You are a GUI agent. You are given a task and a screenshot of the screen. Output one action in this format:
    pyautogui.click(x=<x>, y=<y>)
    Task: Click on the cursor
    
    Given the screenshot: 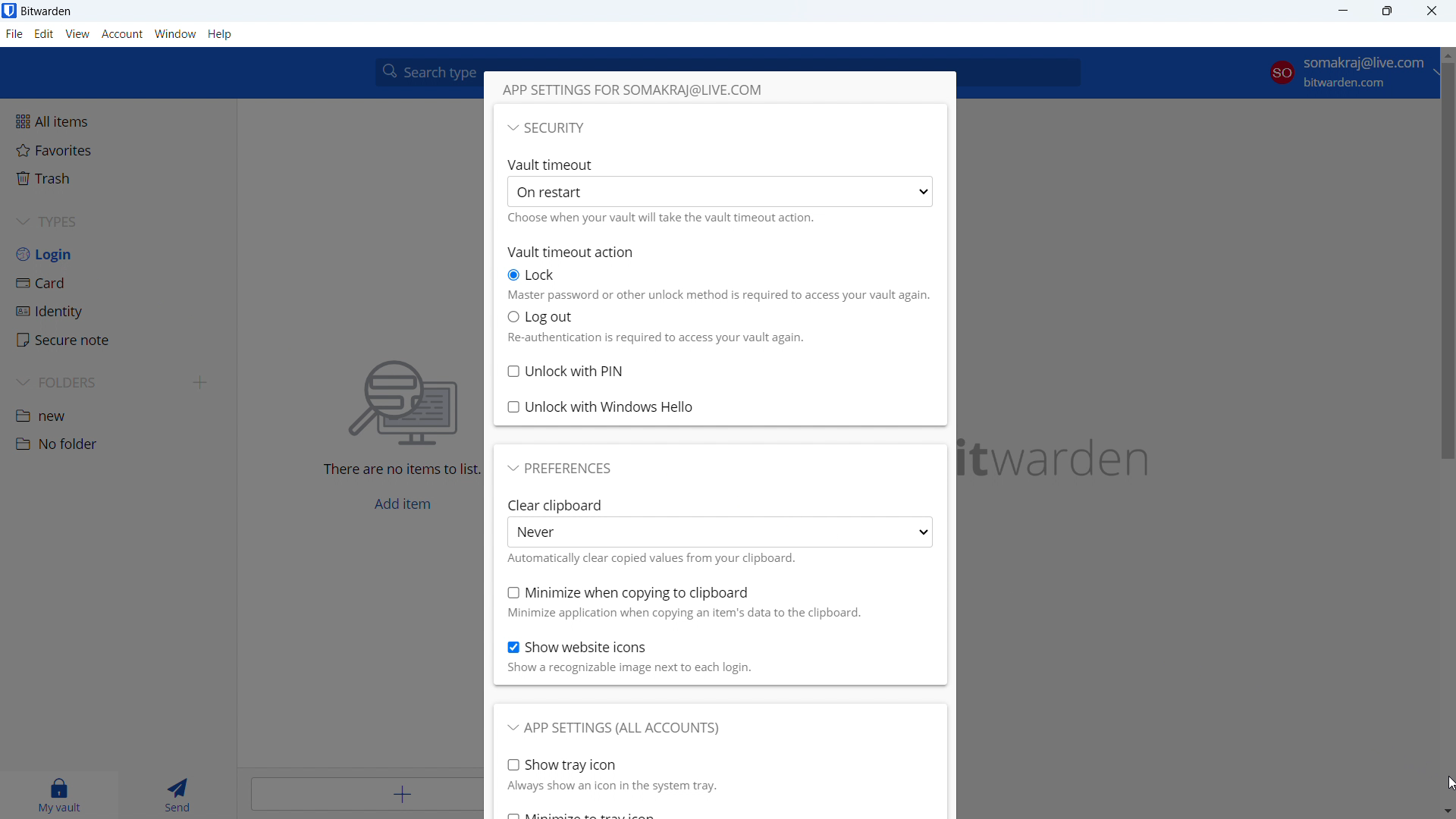 What is the action you would take?
    pyautogui.click(x=1447, y=783)
    